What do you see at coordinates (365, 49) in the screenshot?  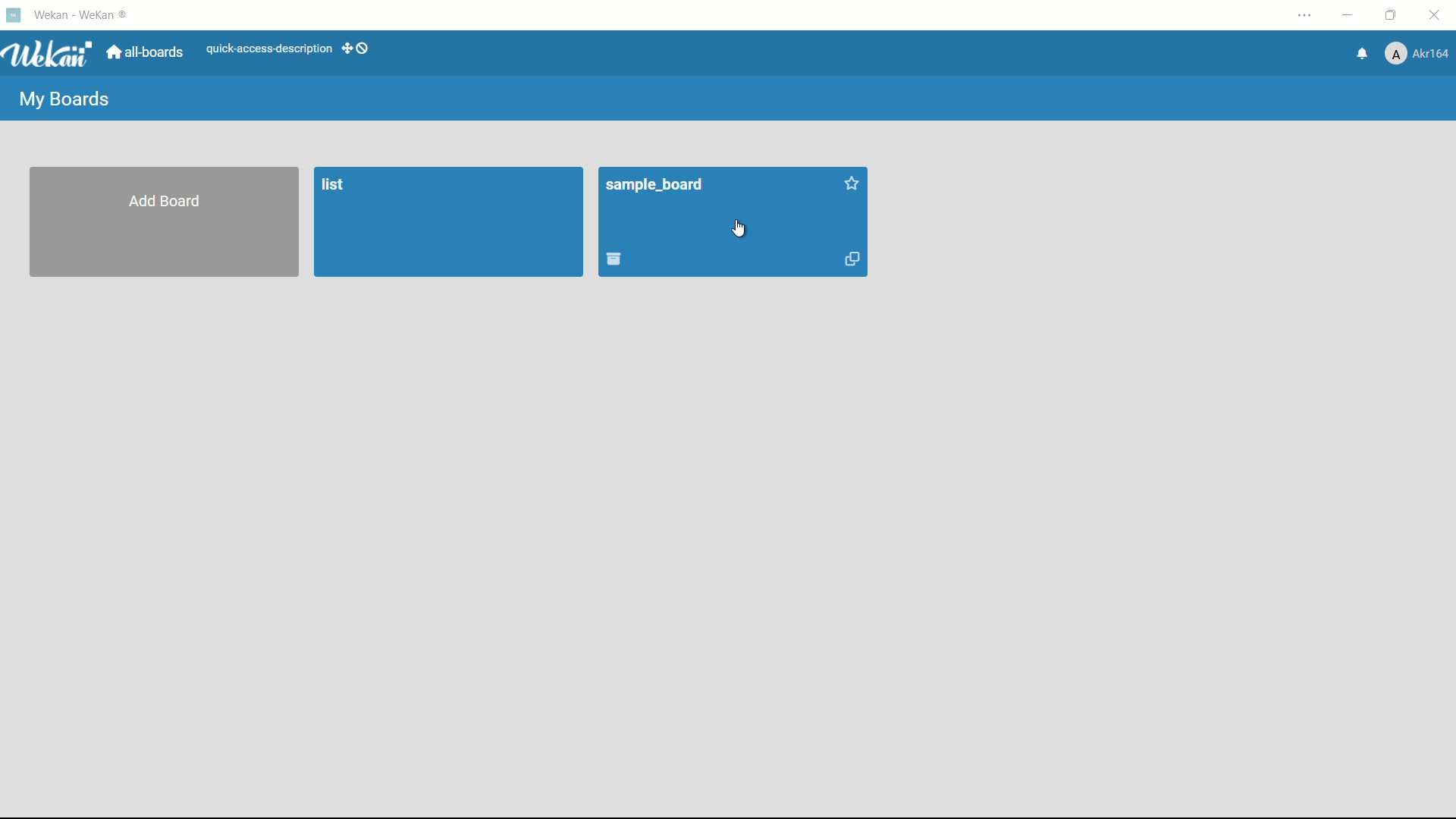 I see `show-desktop-drag-handles` at bounding box center [365, 49].